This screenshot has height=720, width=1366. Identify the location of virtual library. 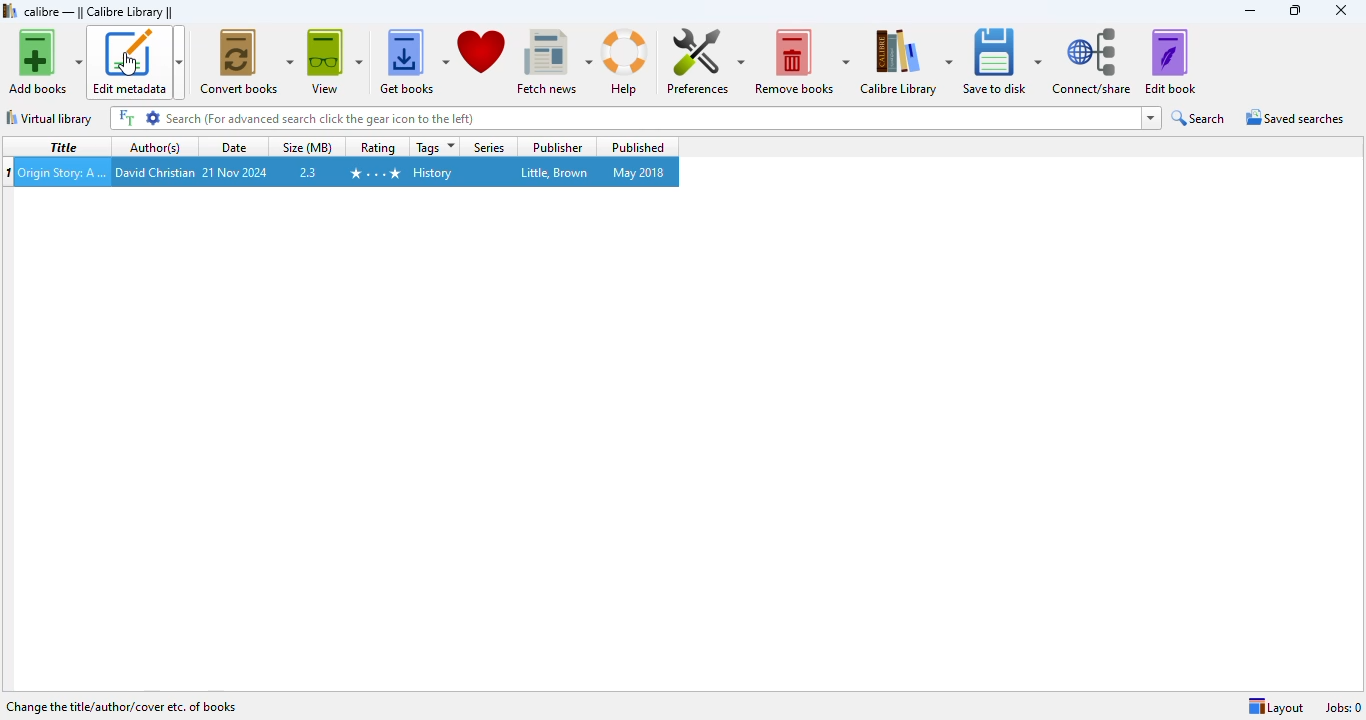
(50, 118).